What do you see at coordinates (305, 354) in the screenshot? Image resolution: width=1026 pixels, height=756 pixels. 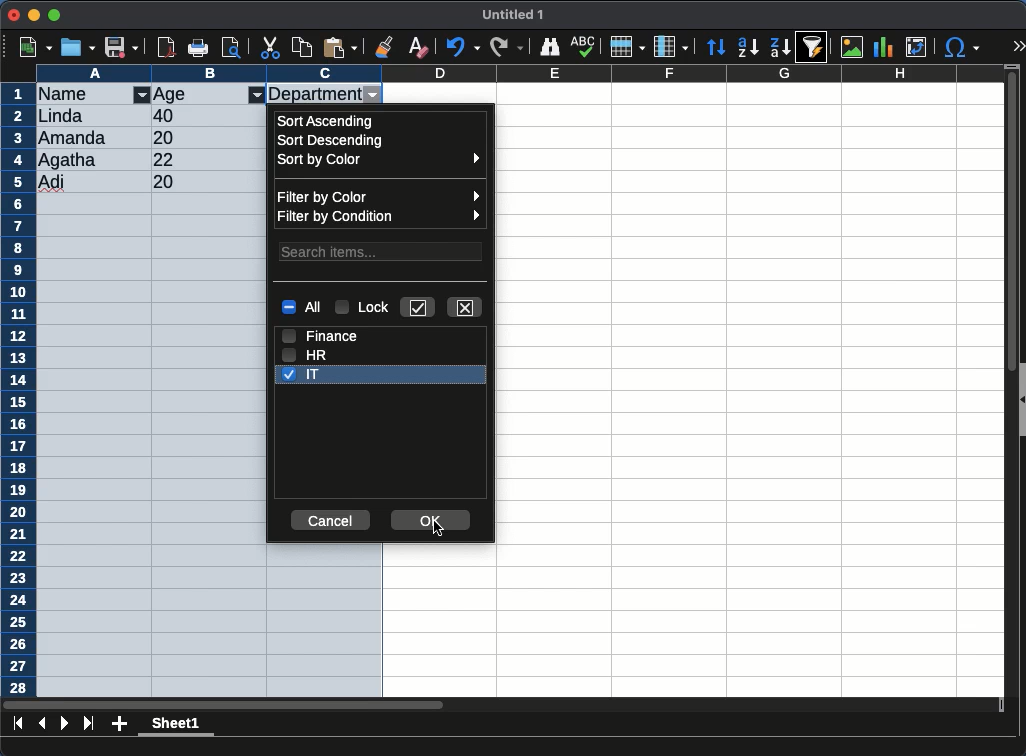 I see `hr` at bounding box center [305, 354].